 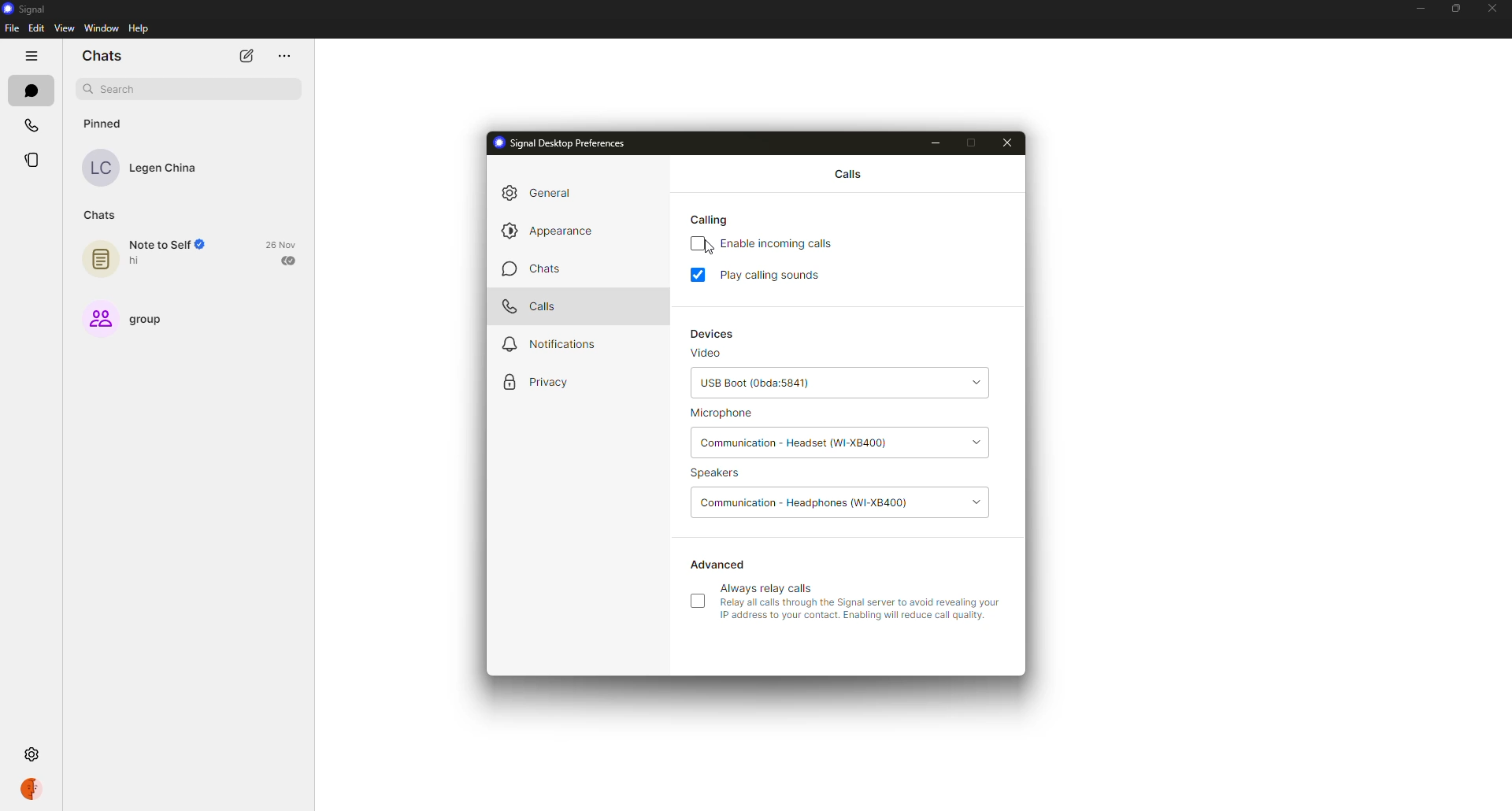 I want to click on always relay calls, so click(x=857, y=602).